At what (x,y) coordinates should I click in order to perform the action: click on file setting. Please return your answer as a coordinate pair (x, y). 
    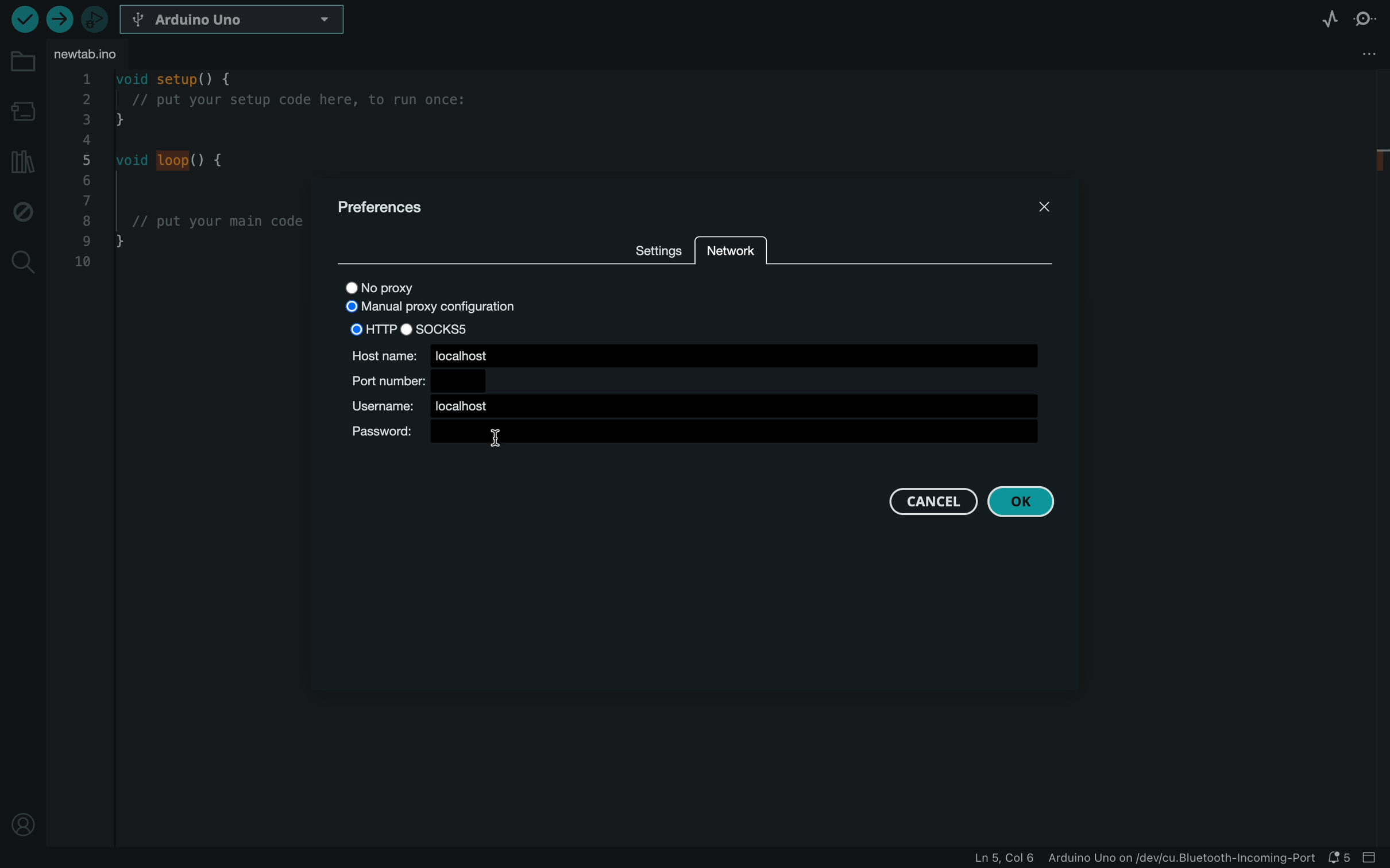
    Looking at the image, I should click on (1346, 55).